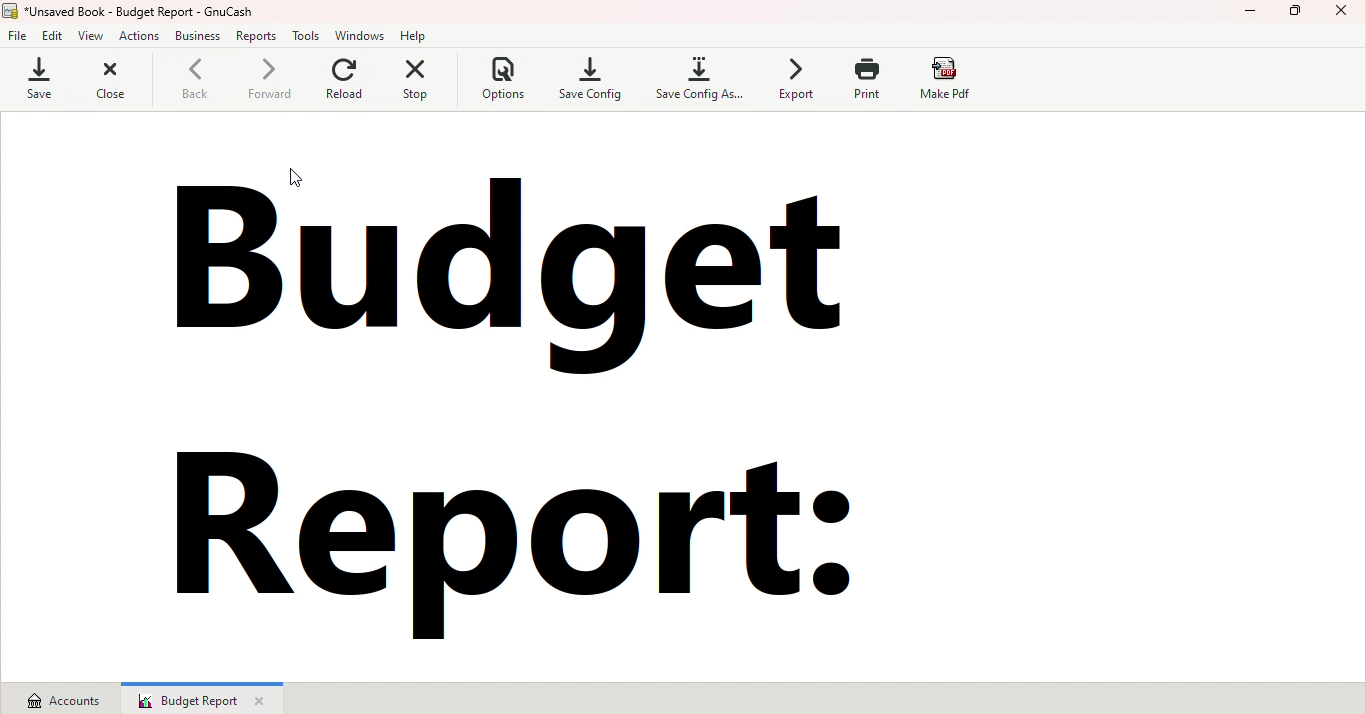 This screenshot has height=714, width=1366. Describe the element at coordinates (417, 35) in the screenshot. I see `Help` at that location.